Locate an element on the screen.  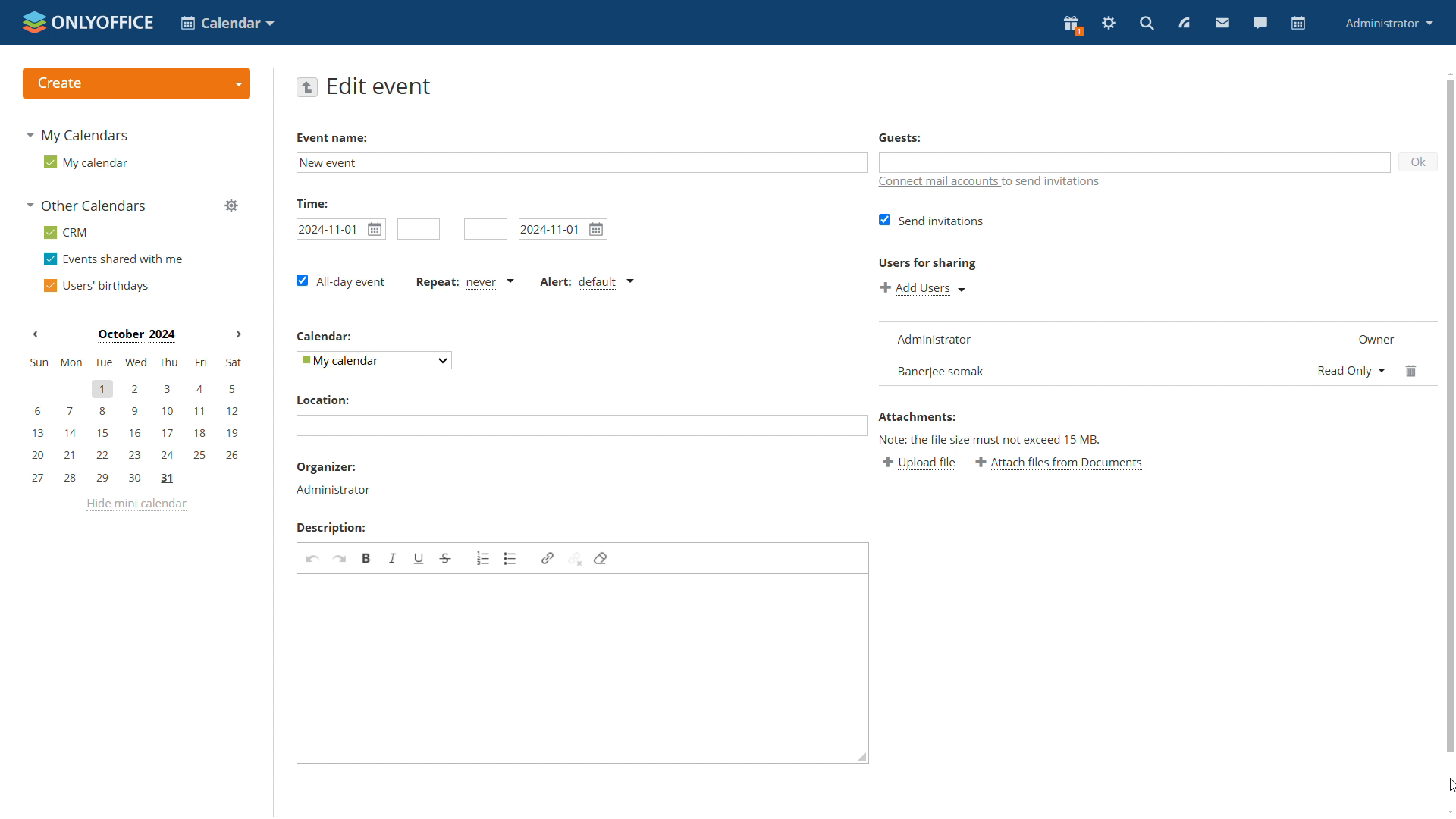
talk is located at coordinates (1262, 24).